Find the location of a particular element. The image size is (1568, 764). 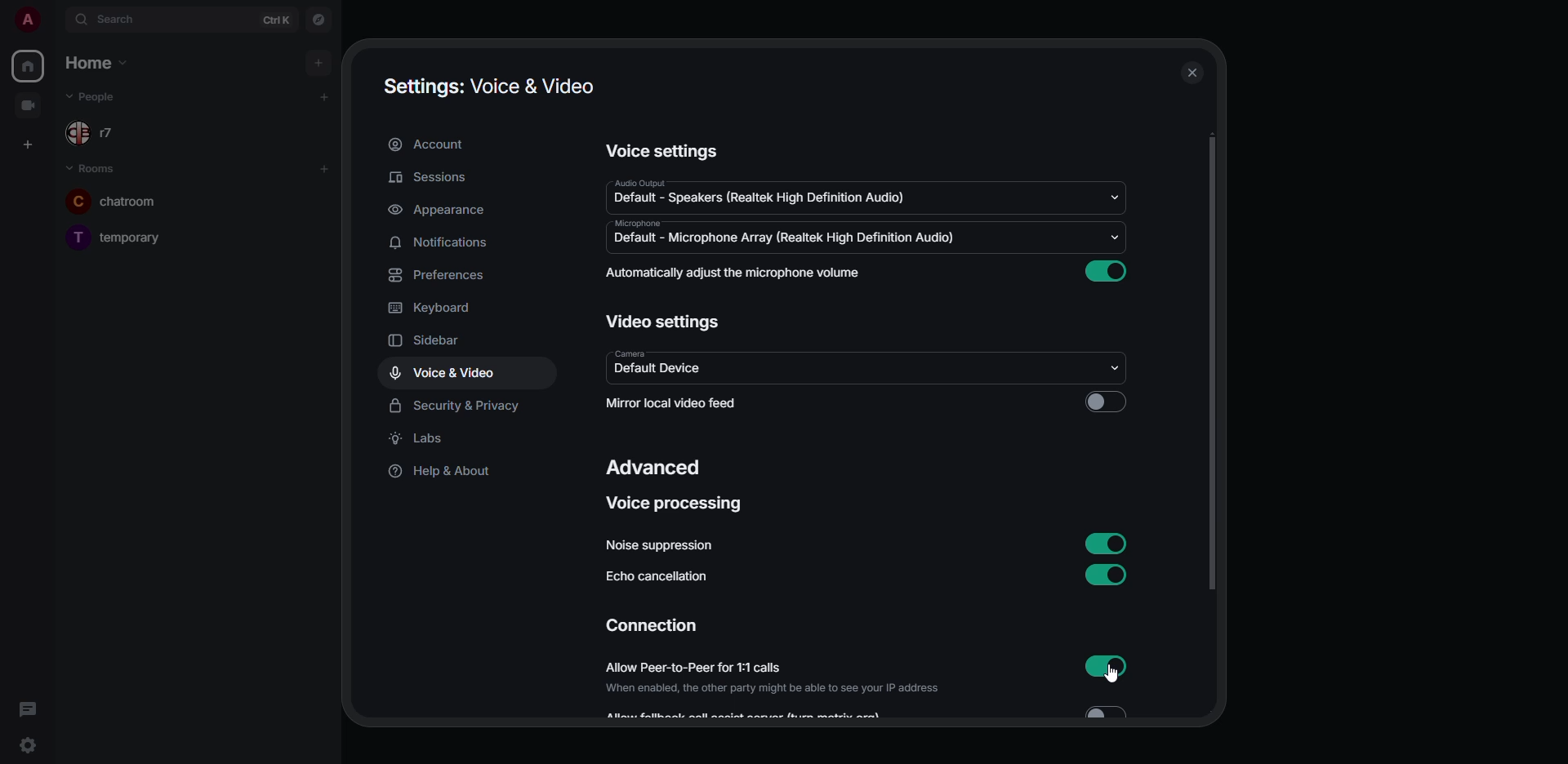

echo cancellation is located at coordinates (659, 579).